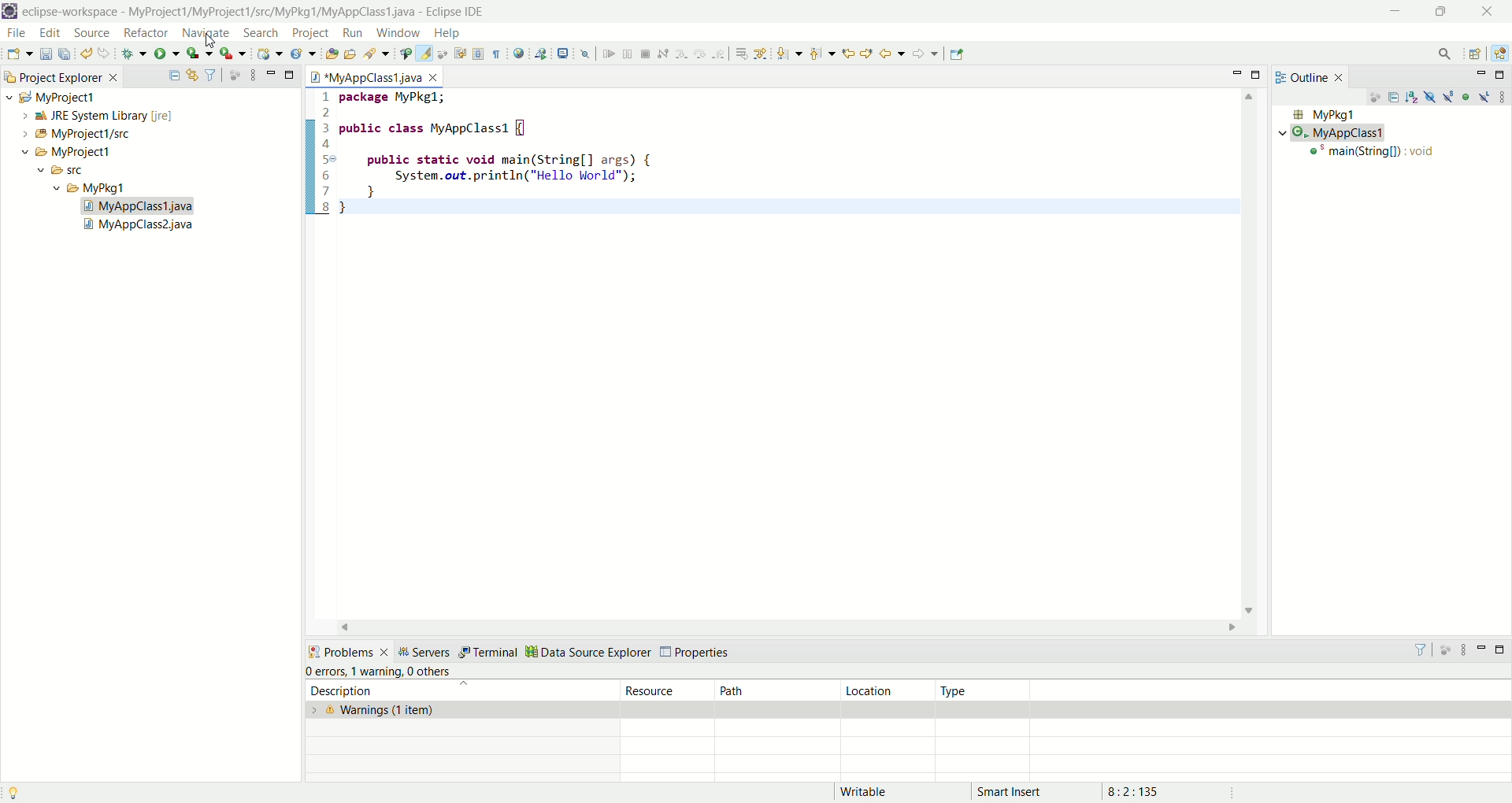  I want to click on window, so click(397, 33).